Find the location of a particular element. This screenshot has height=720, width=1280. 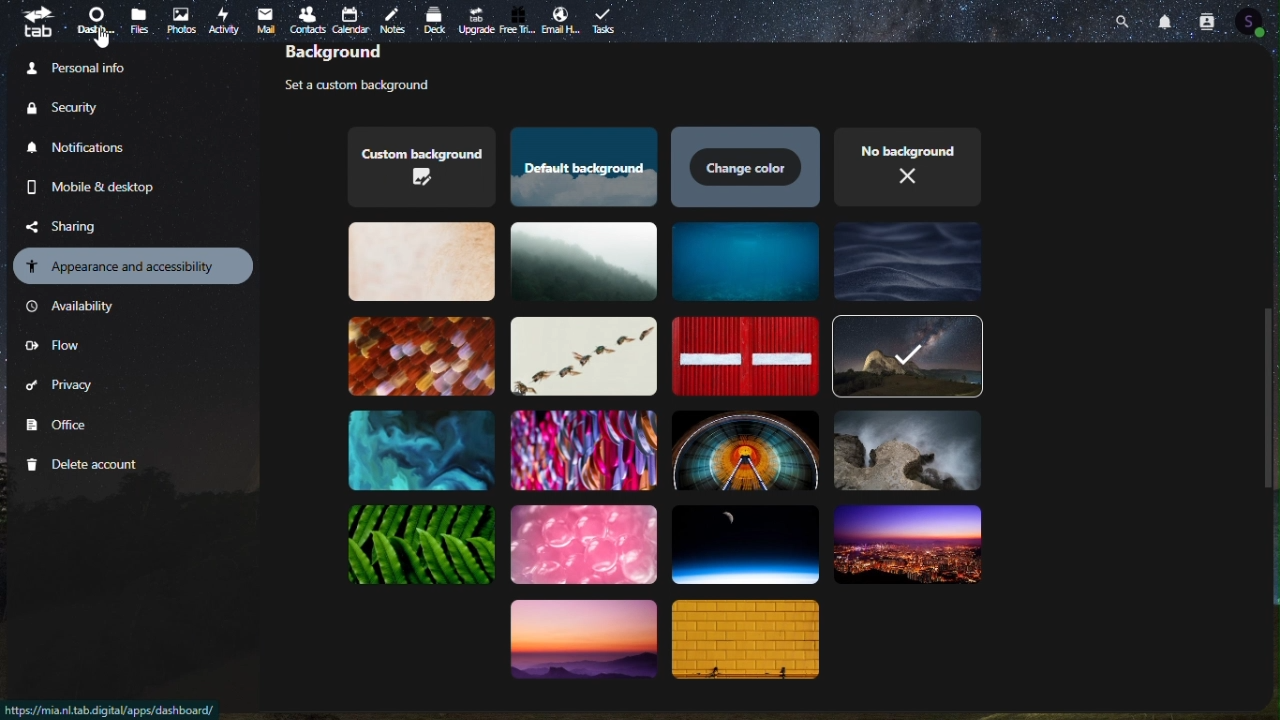

set custom background is located at coordinates (375, 87).